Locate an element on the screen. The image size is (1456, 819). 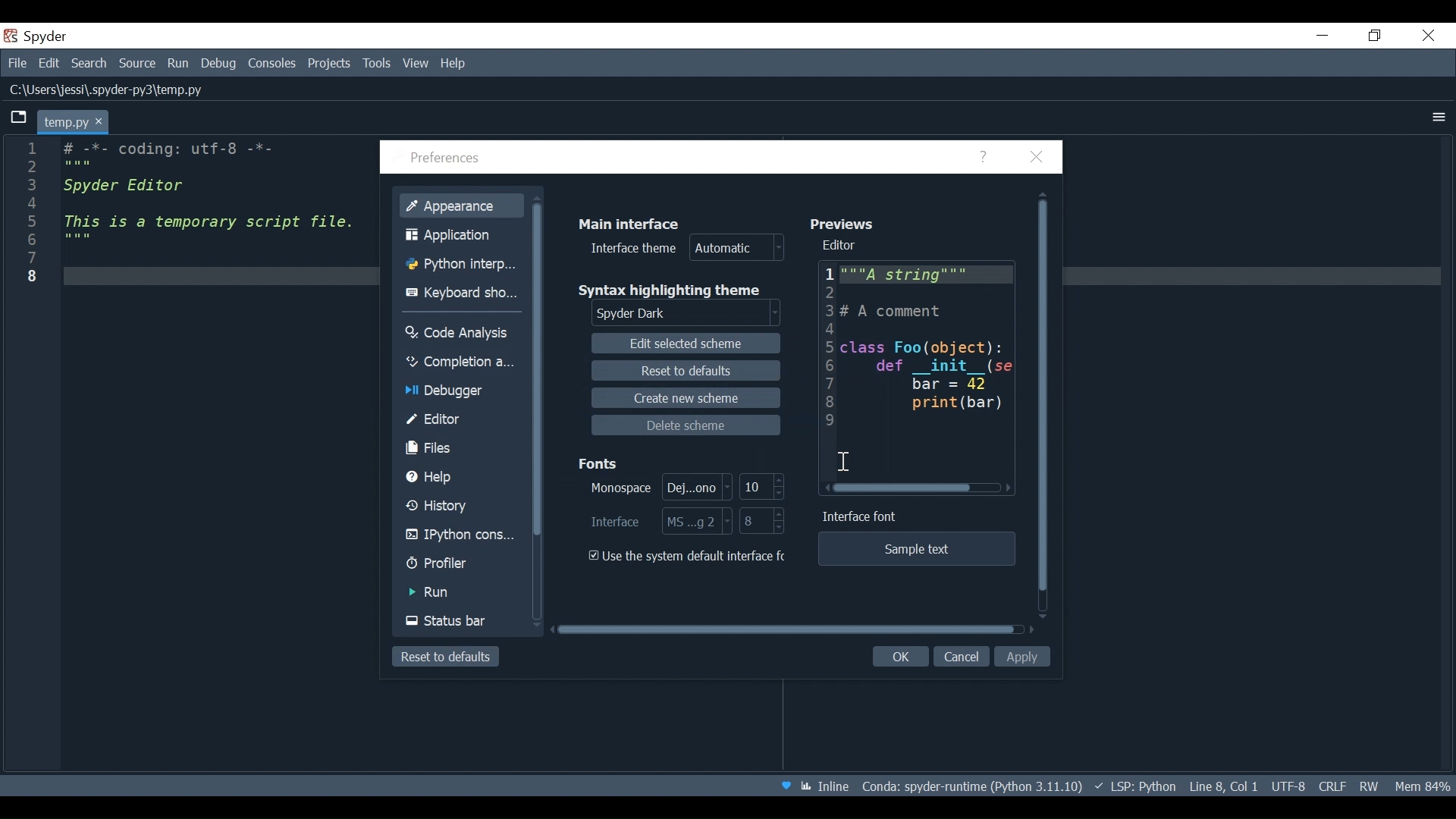
Create new scheme is located at coordinates (685, 397).